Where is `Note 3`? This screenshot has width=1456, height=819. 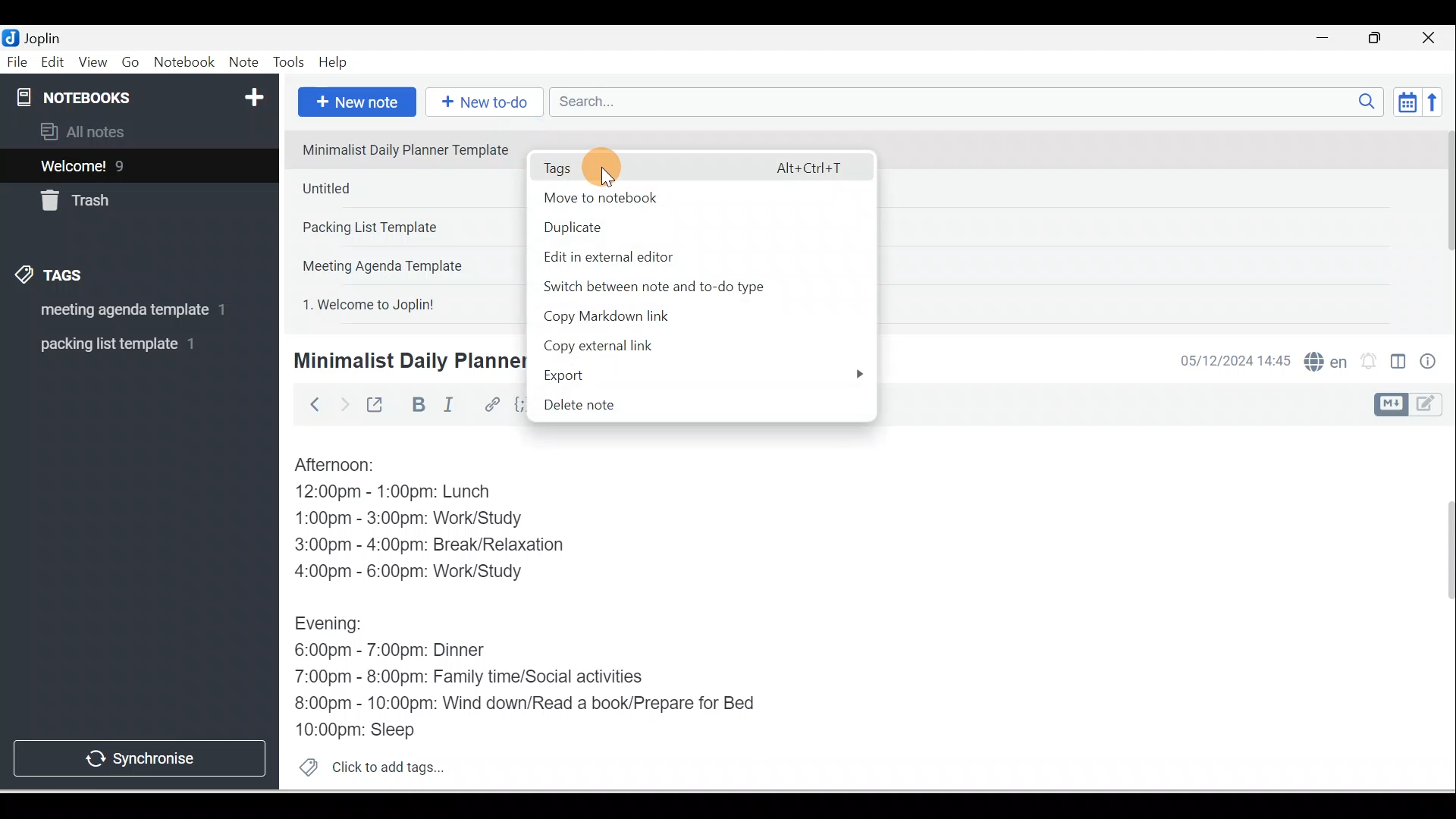
Note 3 is located at coordinates (403, 228).